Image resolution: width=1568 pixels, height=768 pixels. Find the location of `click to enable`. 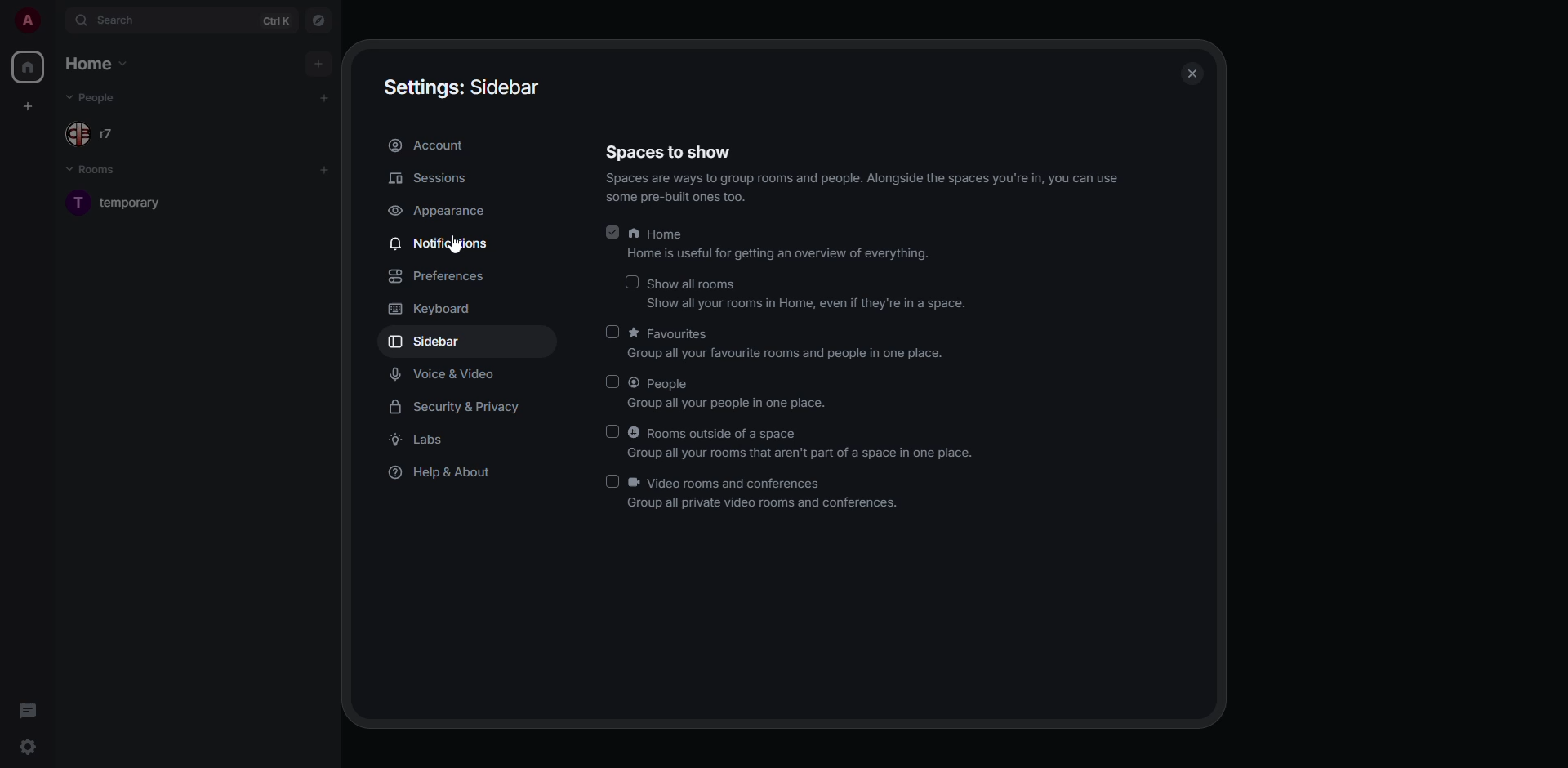

click to enable is located at coordinates (612, 331).